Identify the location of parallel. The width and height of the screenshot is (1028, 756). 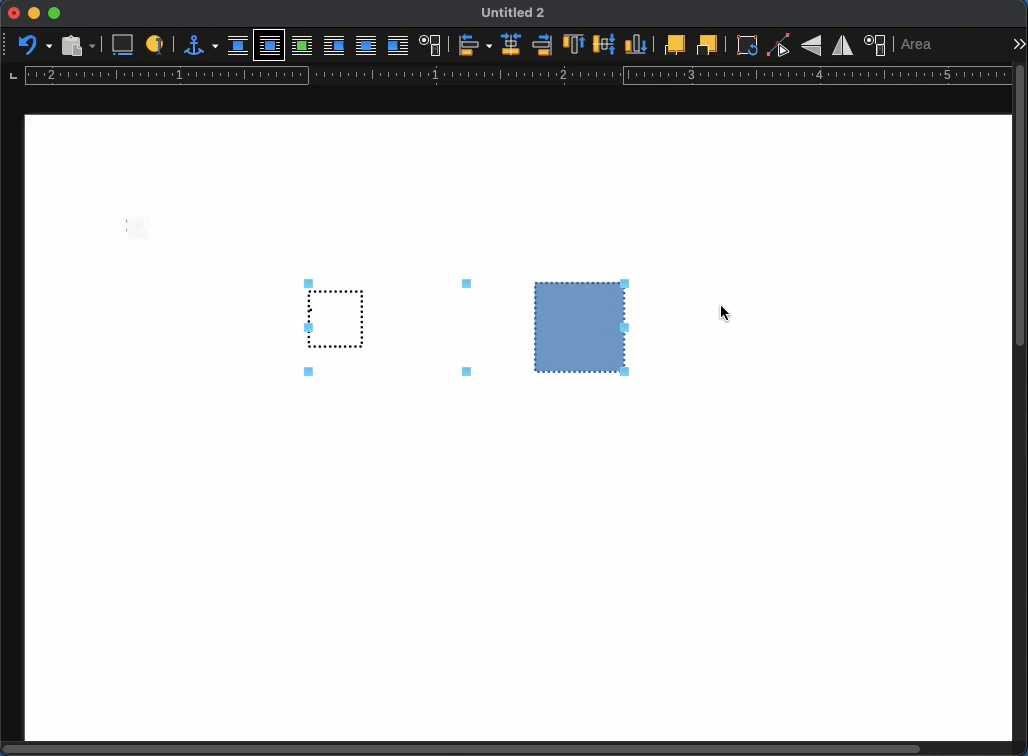
(270, 47).